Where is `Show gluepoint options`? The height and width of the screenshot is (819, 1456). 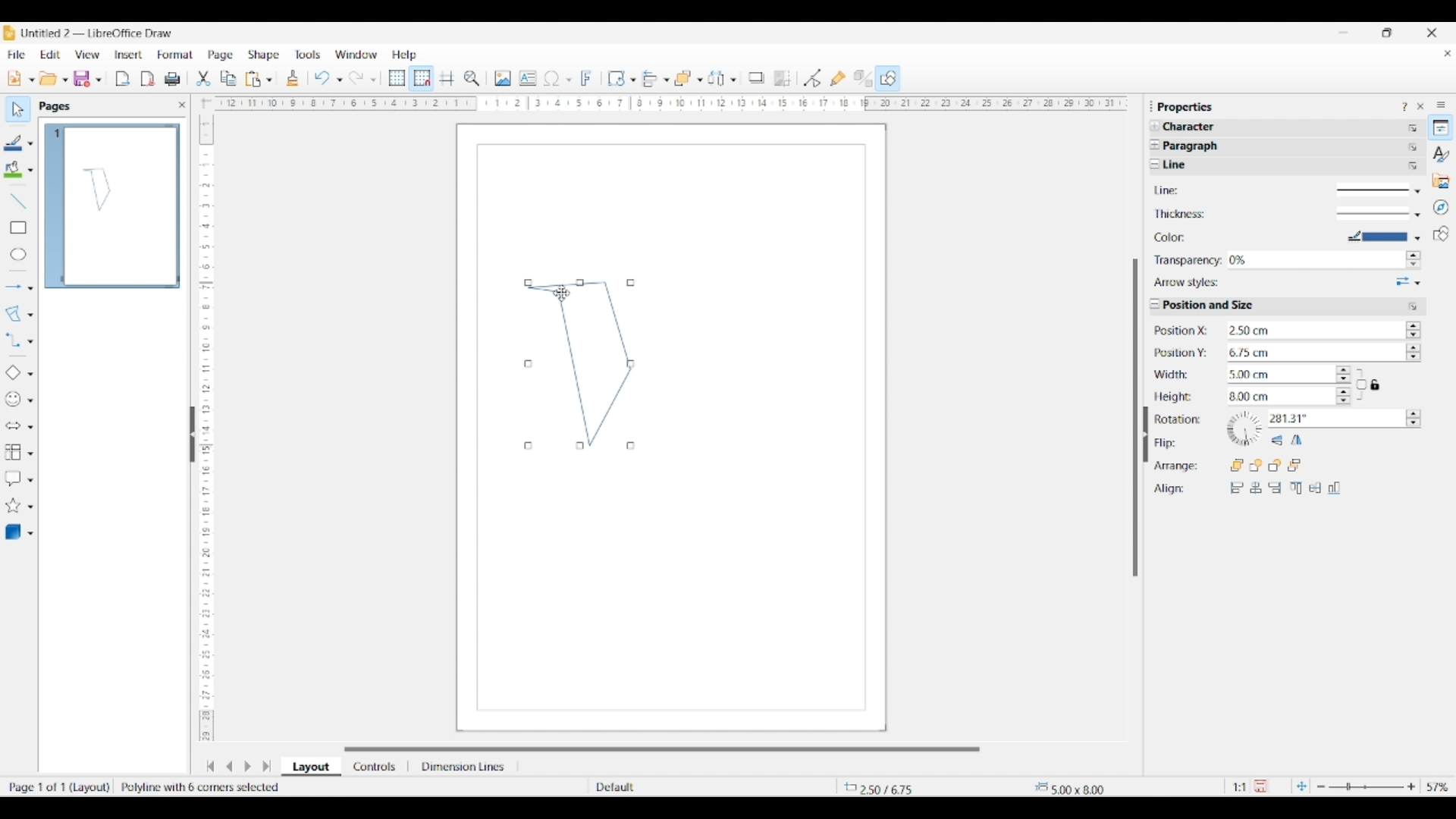 Show gluepoint options is located at coordinates (837, 78).